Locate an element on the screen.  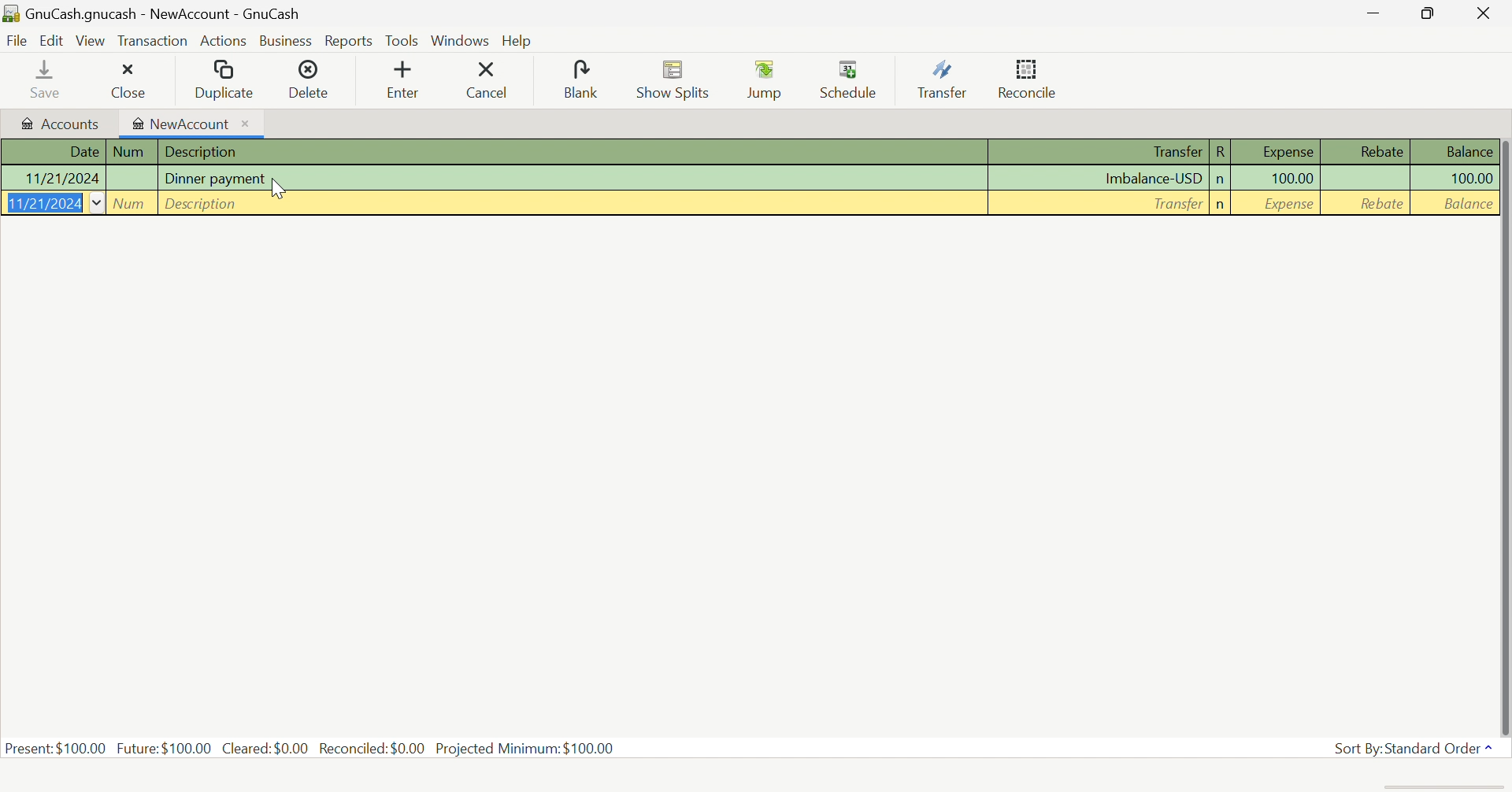
Dinner Payment is located at coordinates (214, 180).